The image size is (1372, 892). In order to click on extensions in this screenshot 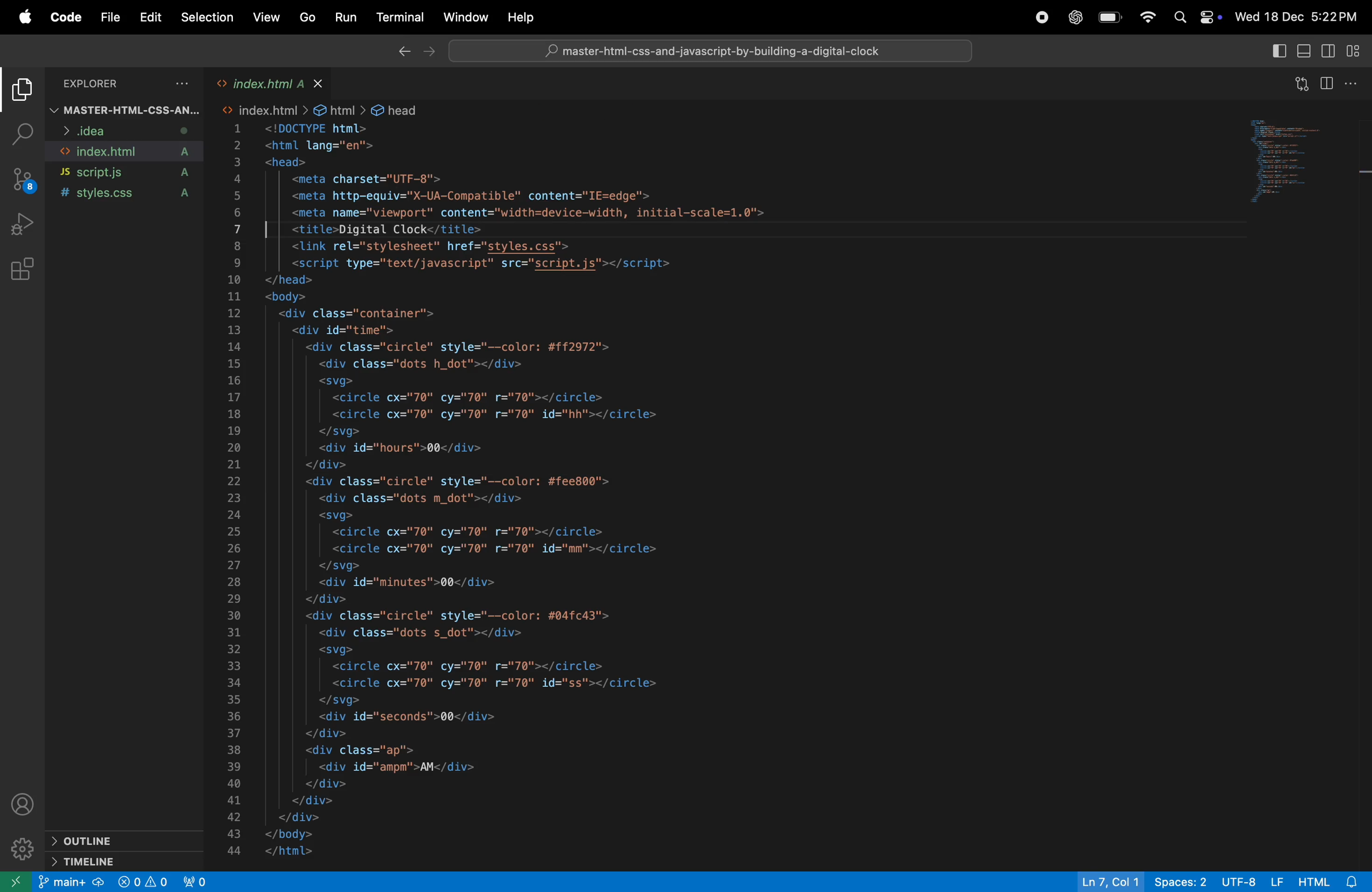, I will do `click(22, 270)`.